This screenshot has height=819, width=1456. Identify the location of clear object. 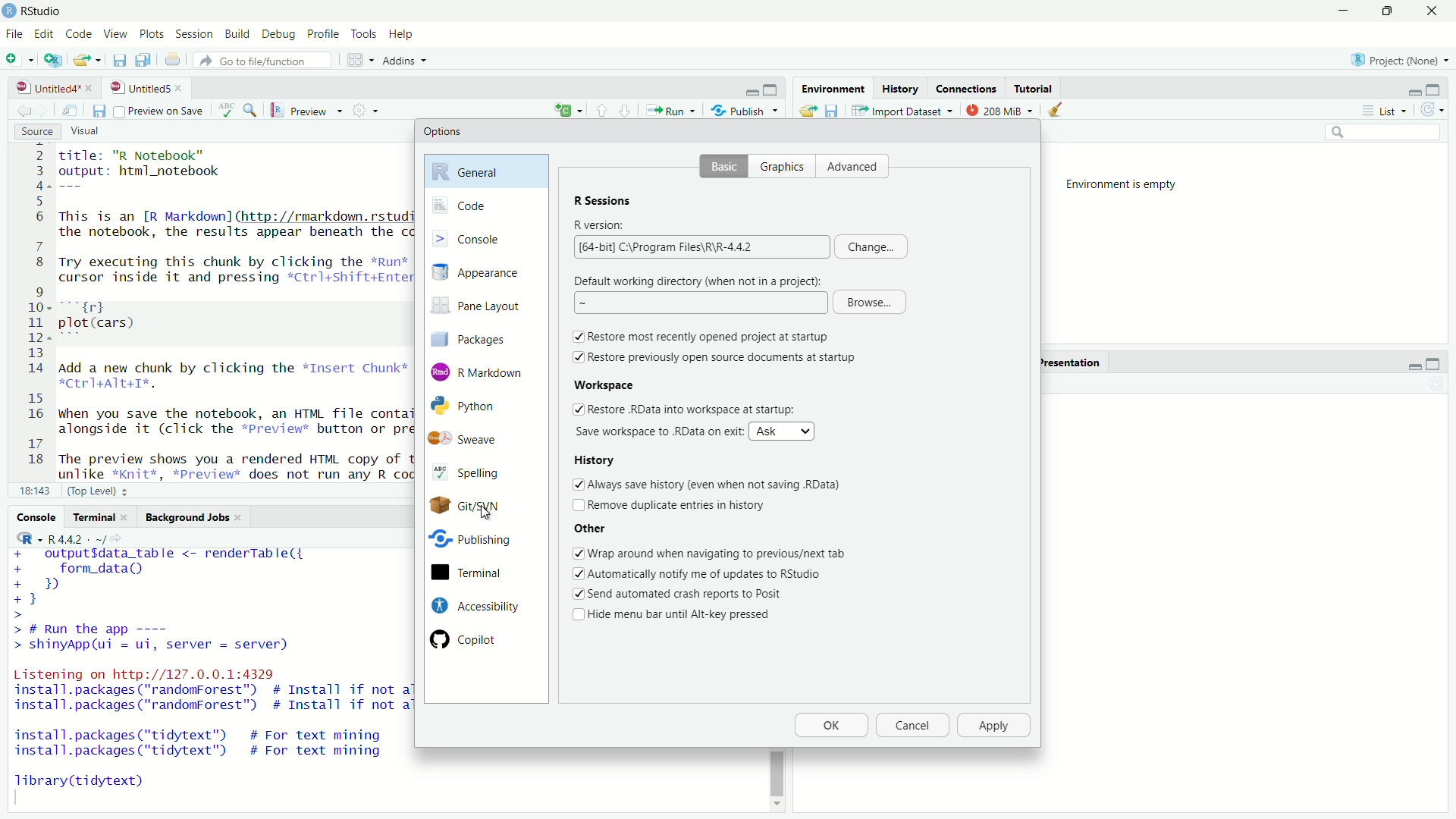
(1053, 110).